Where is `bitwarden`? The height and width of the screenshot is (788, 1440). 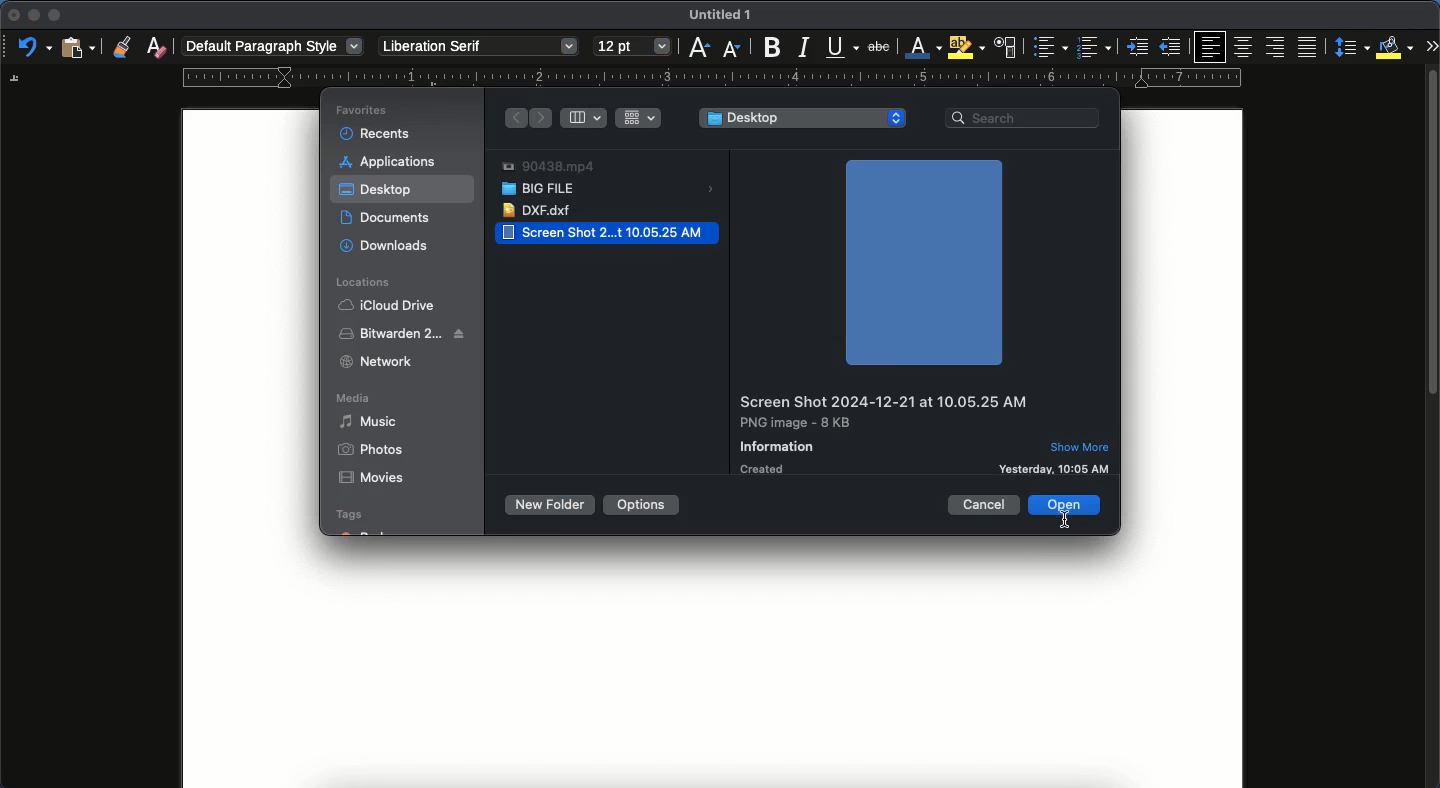 bitwarden is located at coordinates (404, 332).